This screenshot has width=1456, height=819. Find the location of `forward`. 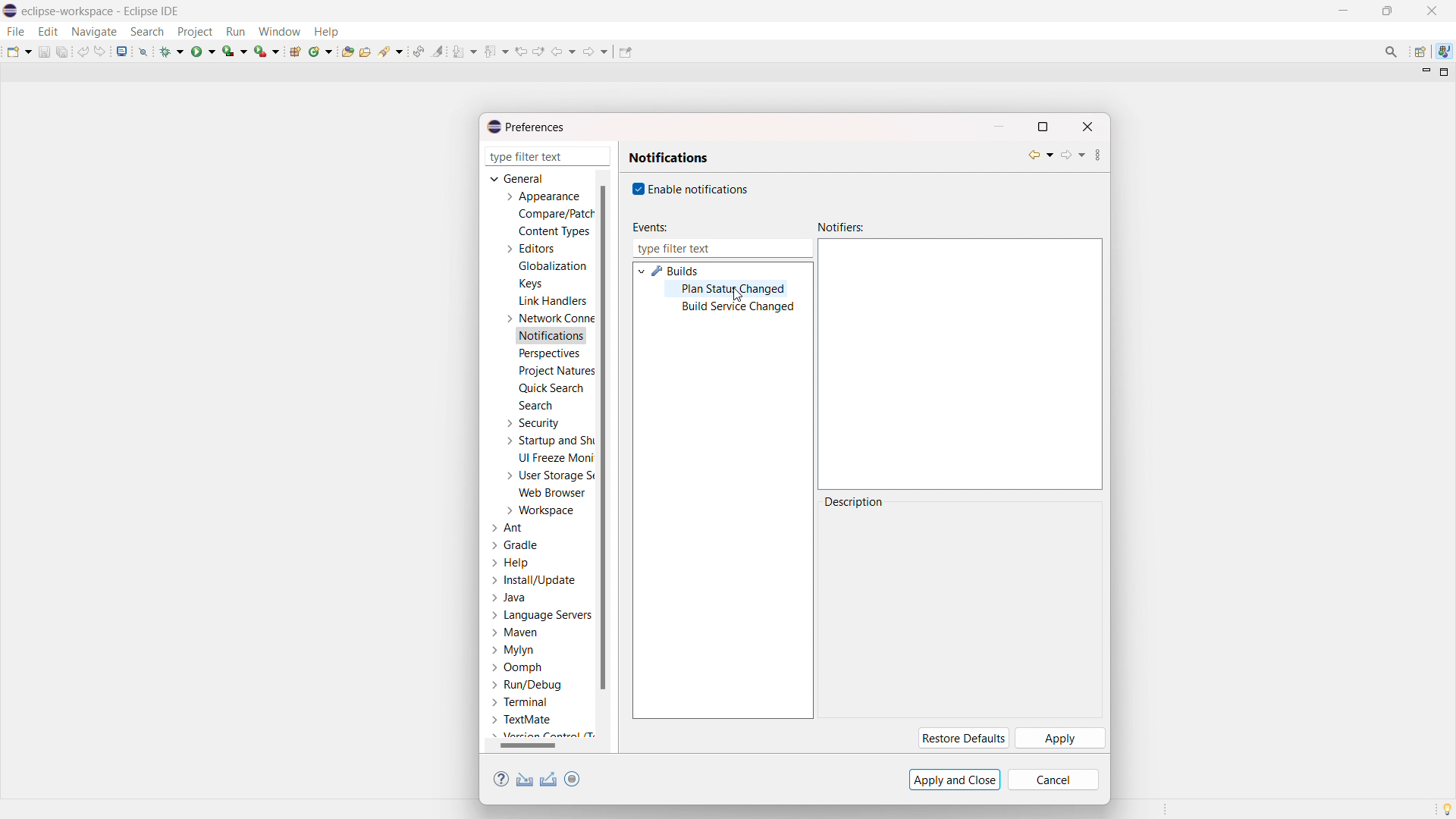

forward is located at coordinates (1072, 155).